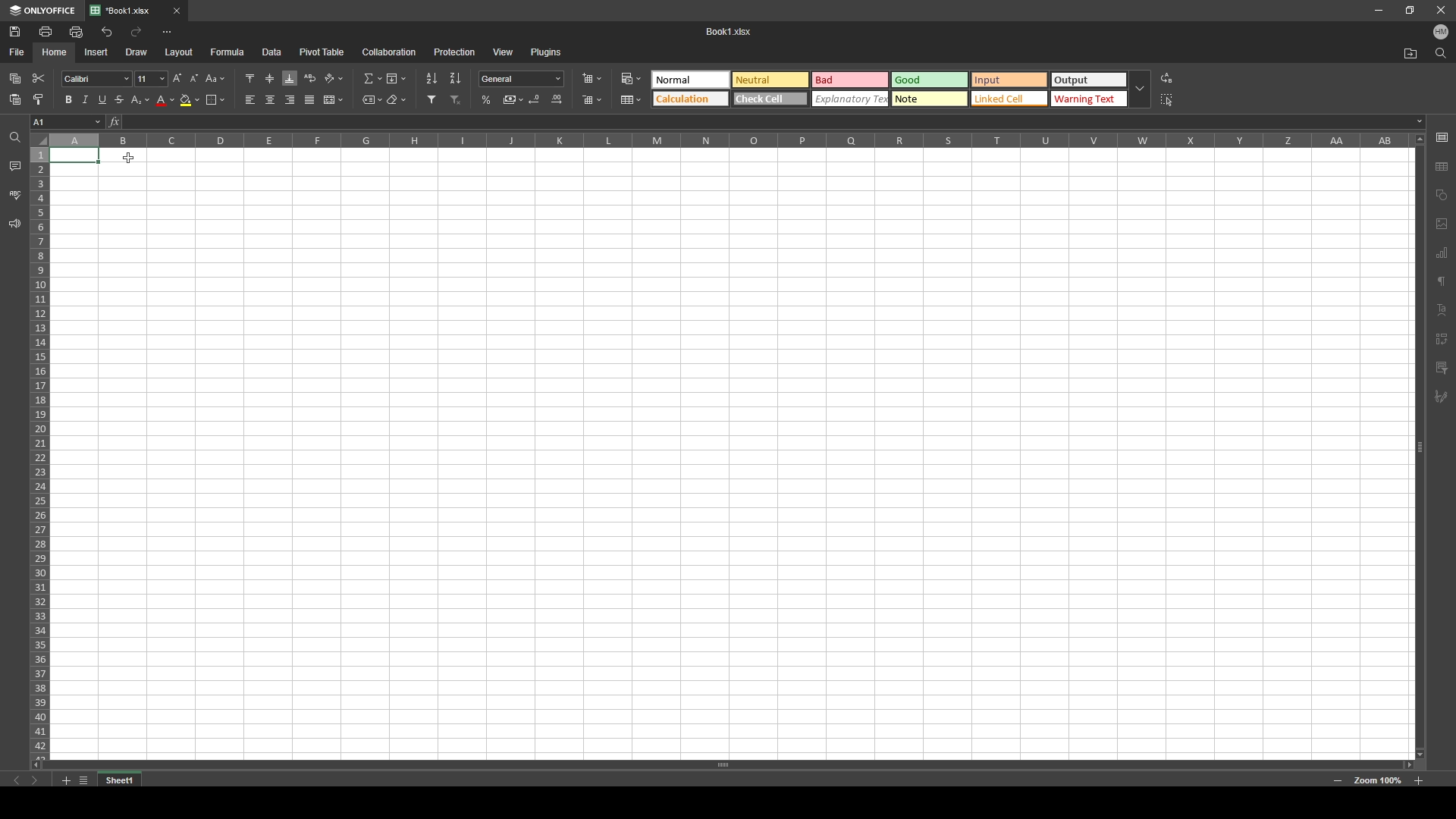 This screenshot has width=1456, height=819. I want to click on save, so click(14, 31).